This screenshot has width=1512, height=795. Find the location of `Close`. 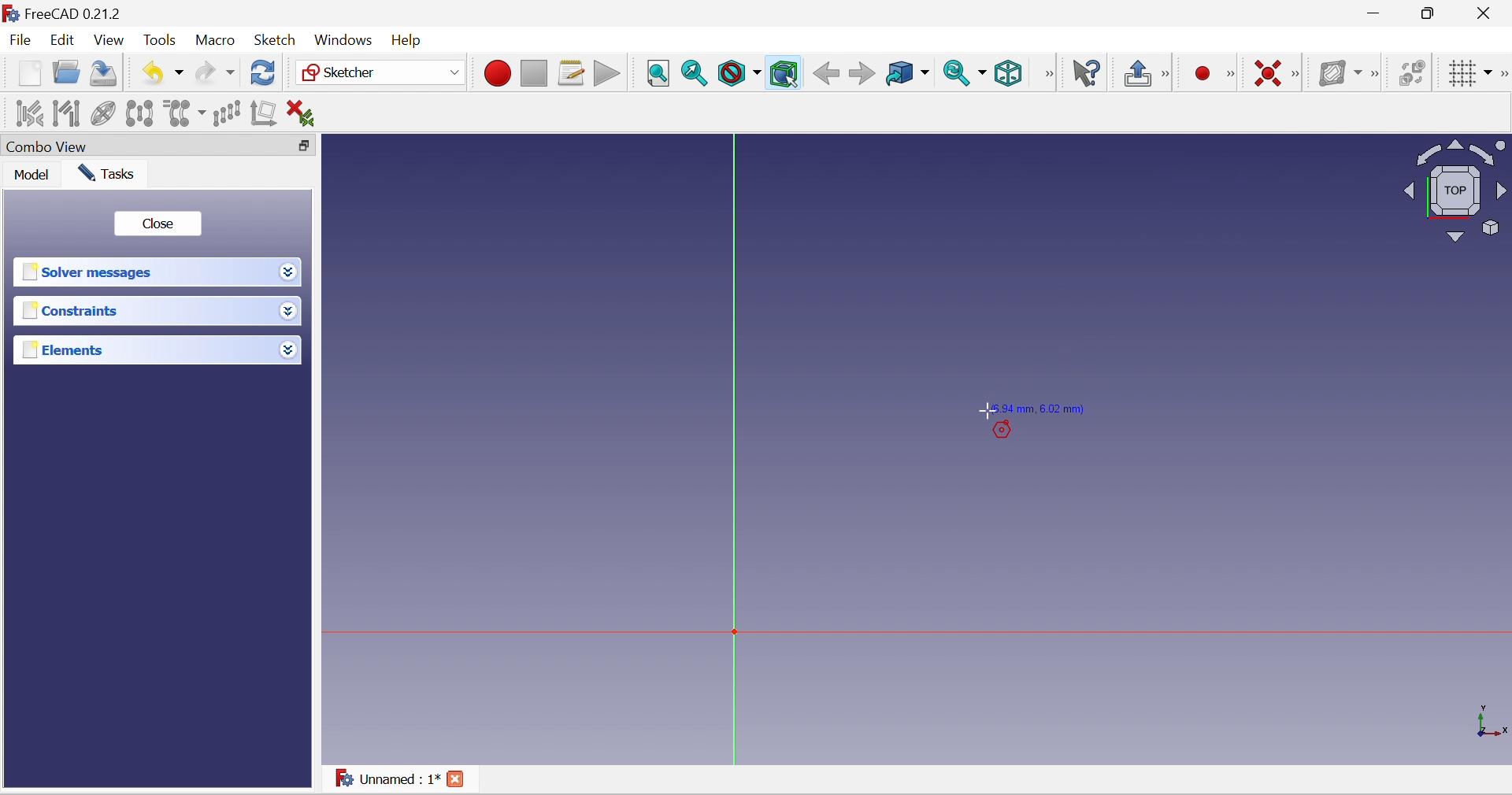

Close is located at coordinates (454, 778).